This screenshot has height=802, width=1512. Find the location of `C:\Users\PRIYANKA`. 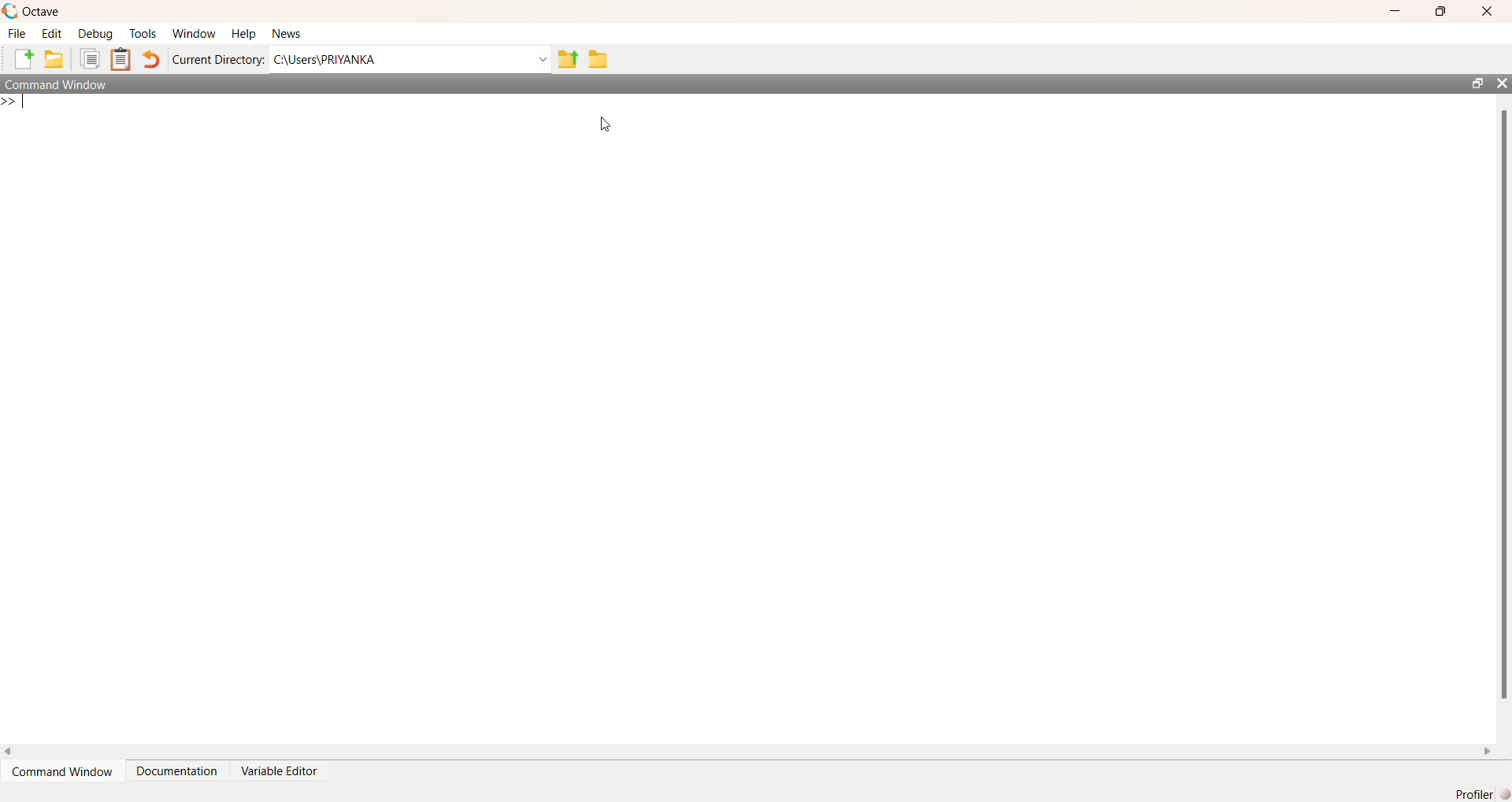

C:\Users\PRIYANKA is located at coordinates (410, 59).